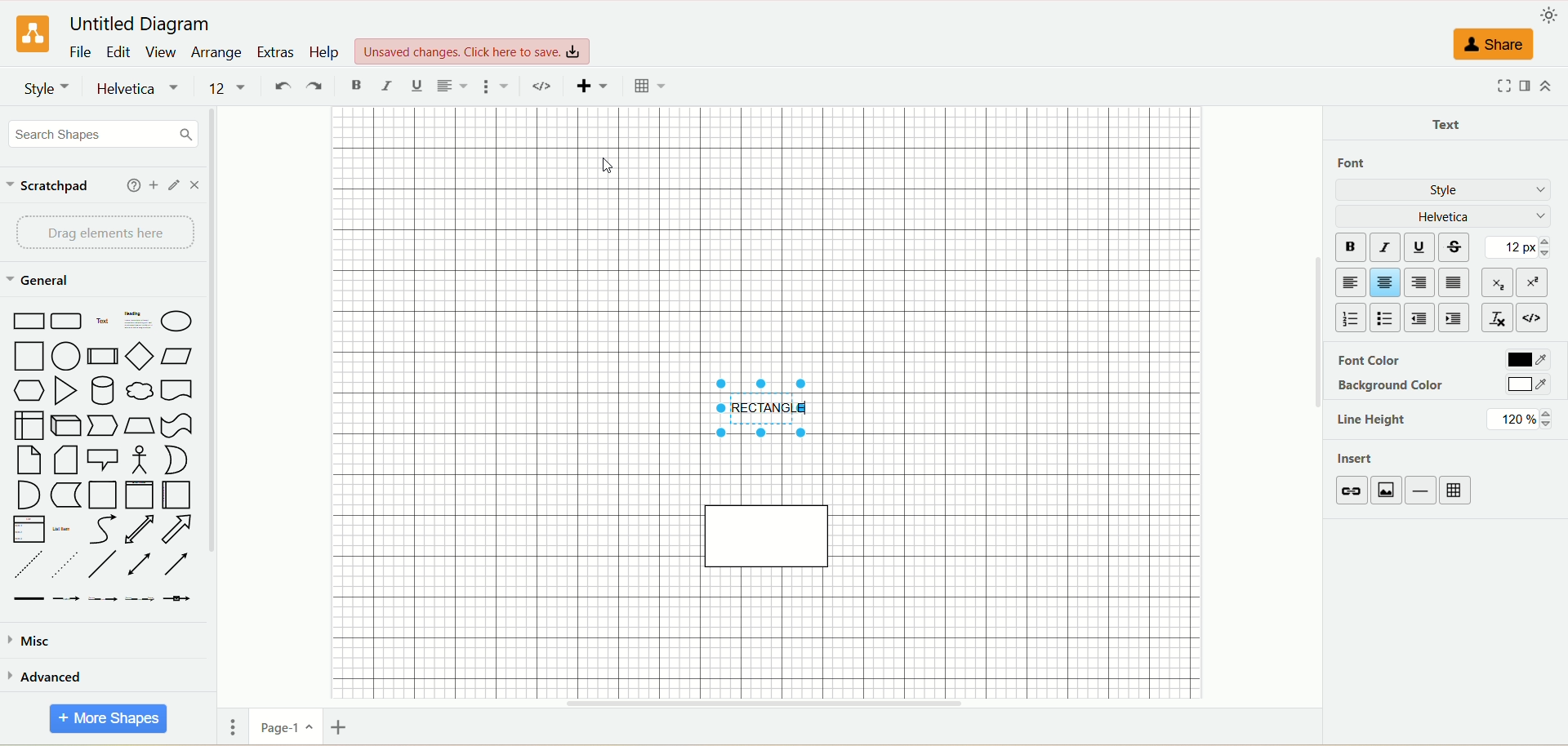 Image resolution: width=1568 pixels, height=746 pixels. What do you see at coordinates (103, 322) in the screenshot?
I see `text` at bounding box center [103, 322].